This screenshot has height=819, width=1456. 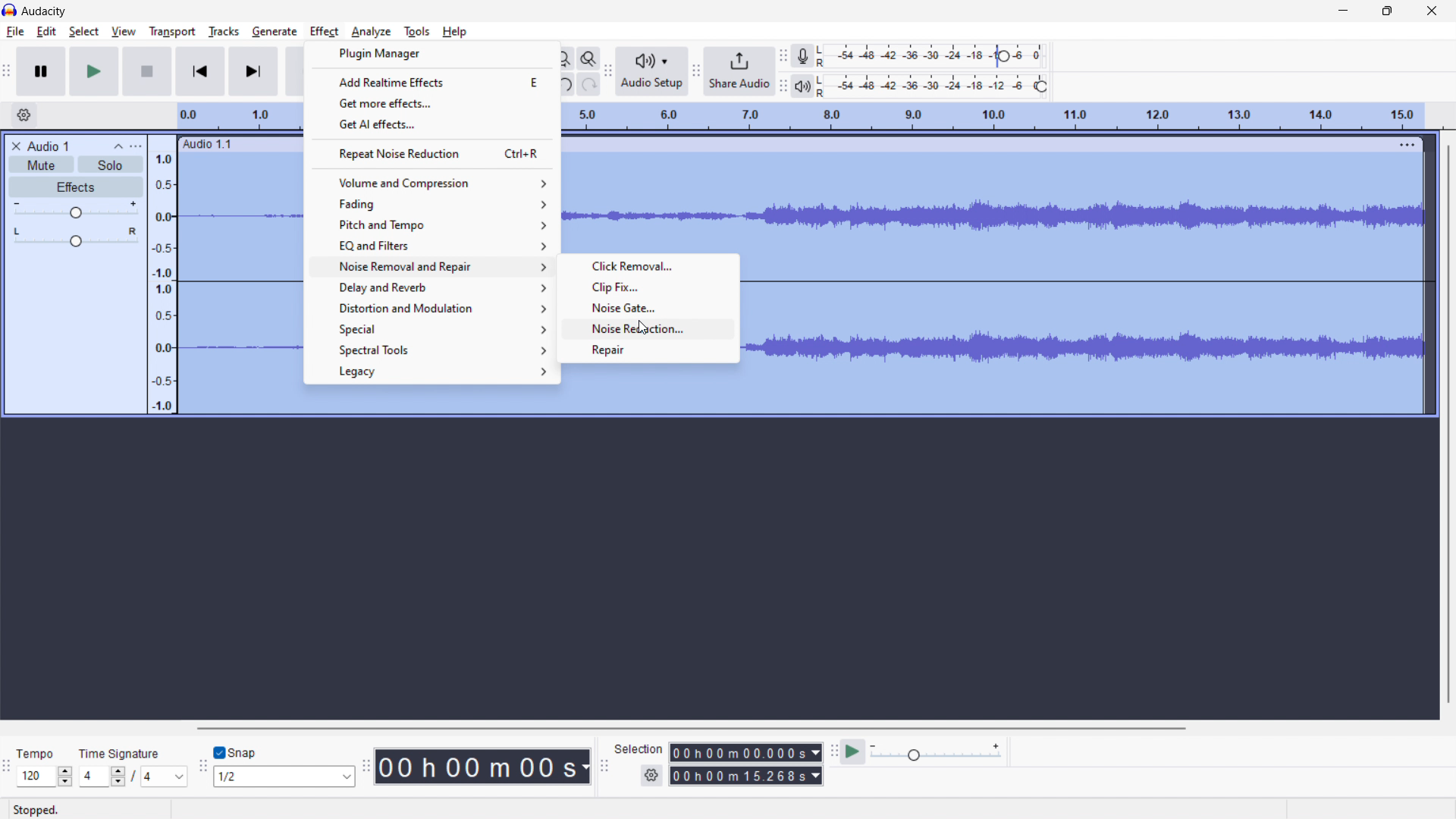 I want to click on Stopped , so click(x=39, y=810).